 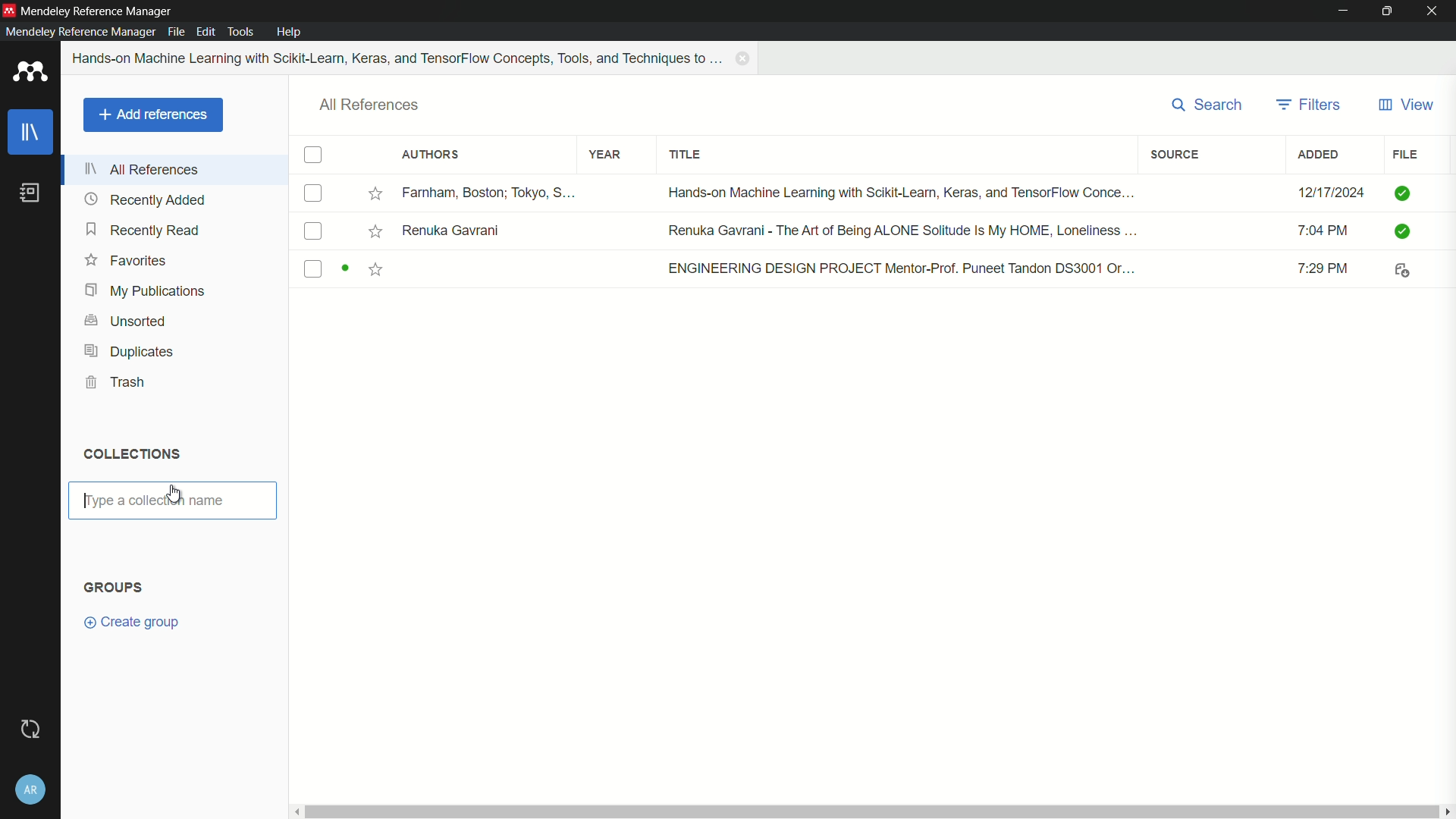 I want to click on create group, so click(x=133, y=621).